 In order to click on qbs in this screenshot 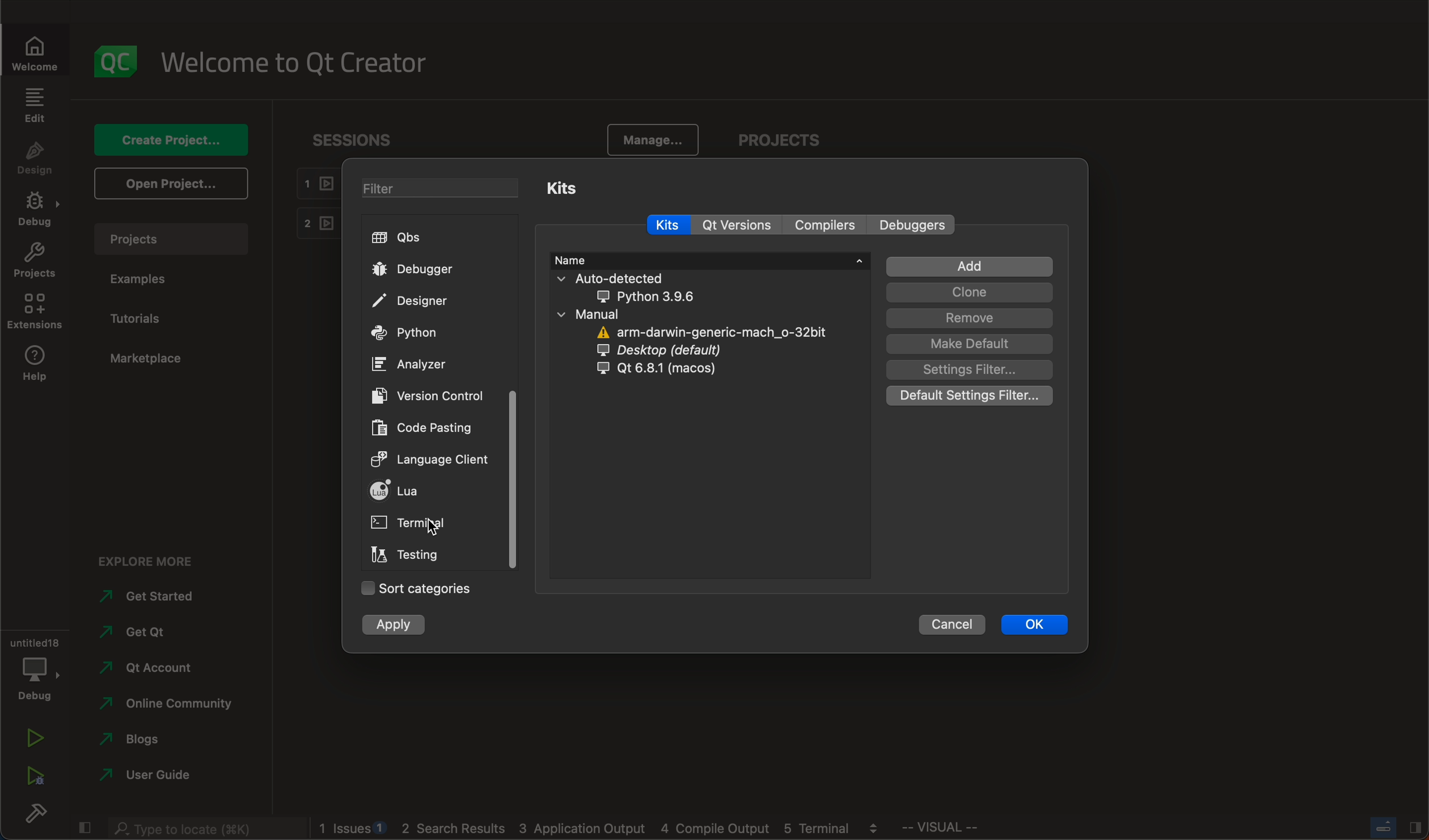, I will do `click(405, 237)`.